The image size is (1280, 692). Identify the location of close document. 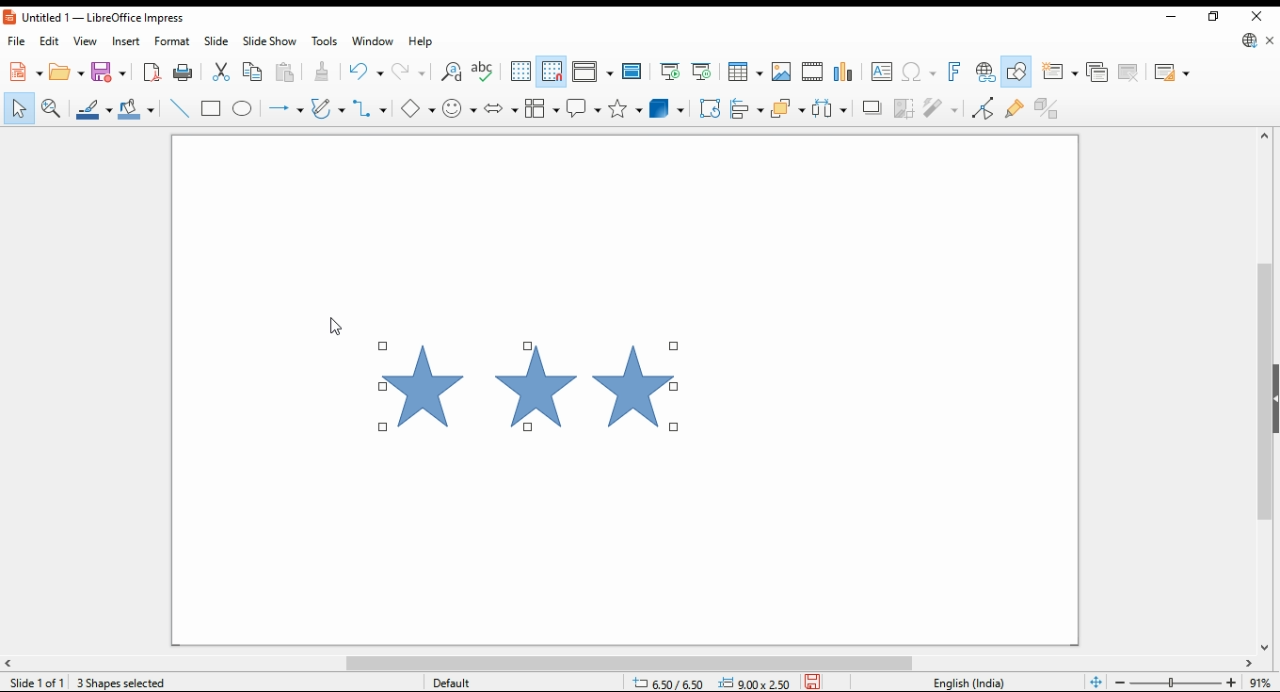
(1268, 38).